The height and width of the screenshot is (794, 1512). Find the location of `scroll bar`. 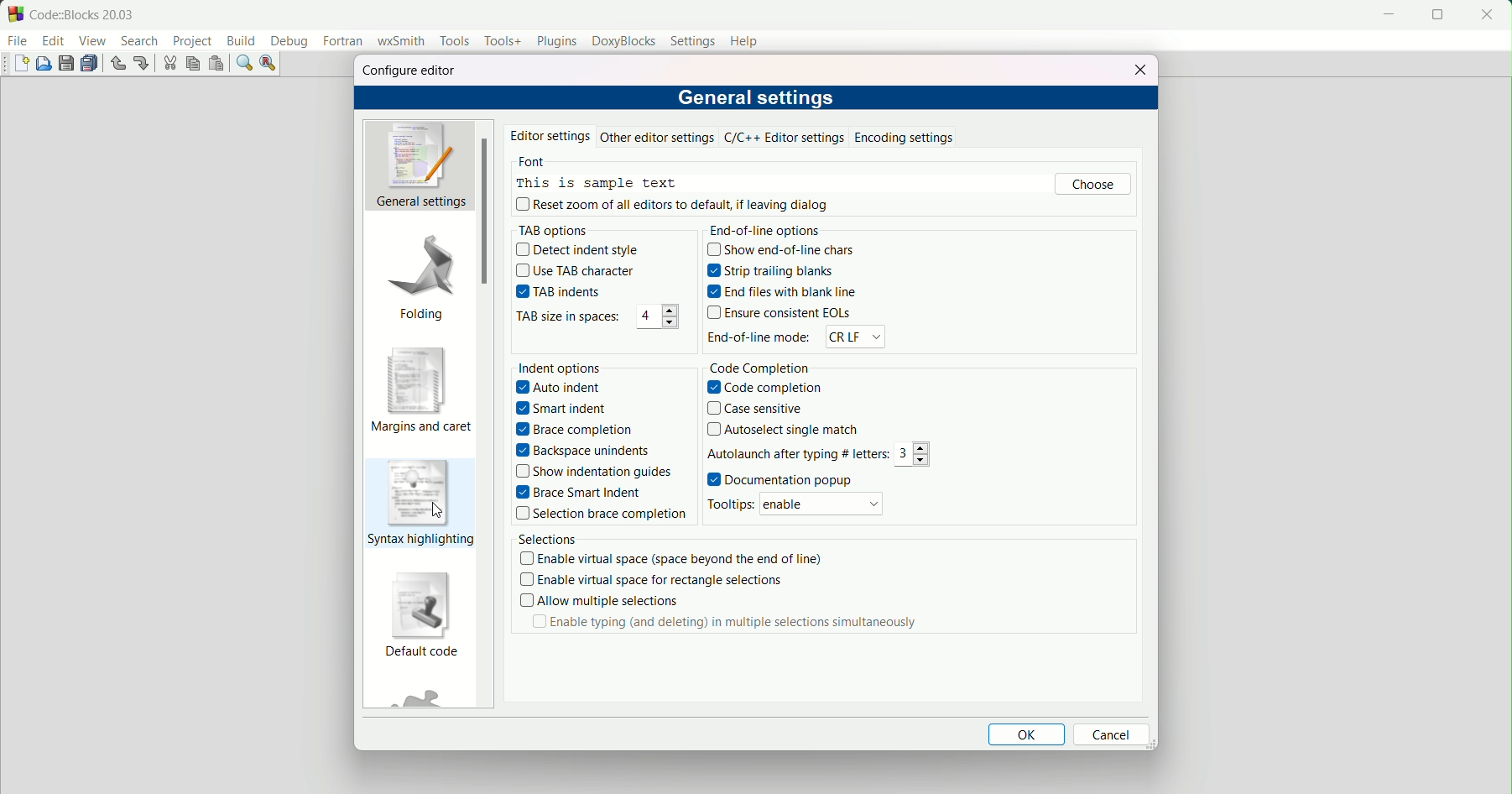

scroll bar is located at coordinates (482, 214).